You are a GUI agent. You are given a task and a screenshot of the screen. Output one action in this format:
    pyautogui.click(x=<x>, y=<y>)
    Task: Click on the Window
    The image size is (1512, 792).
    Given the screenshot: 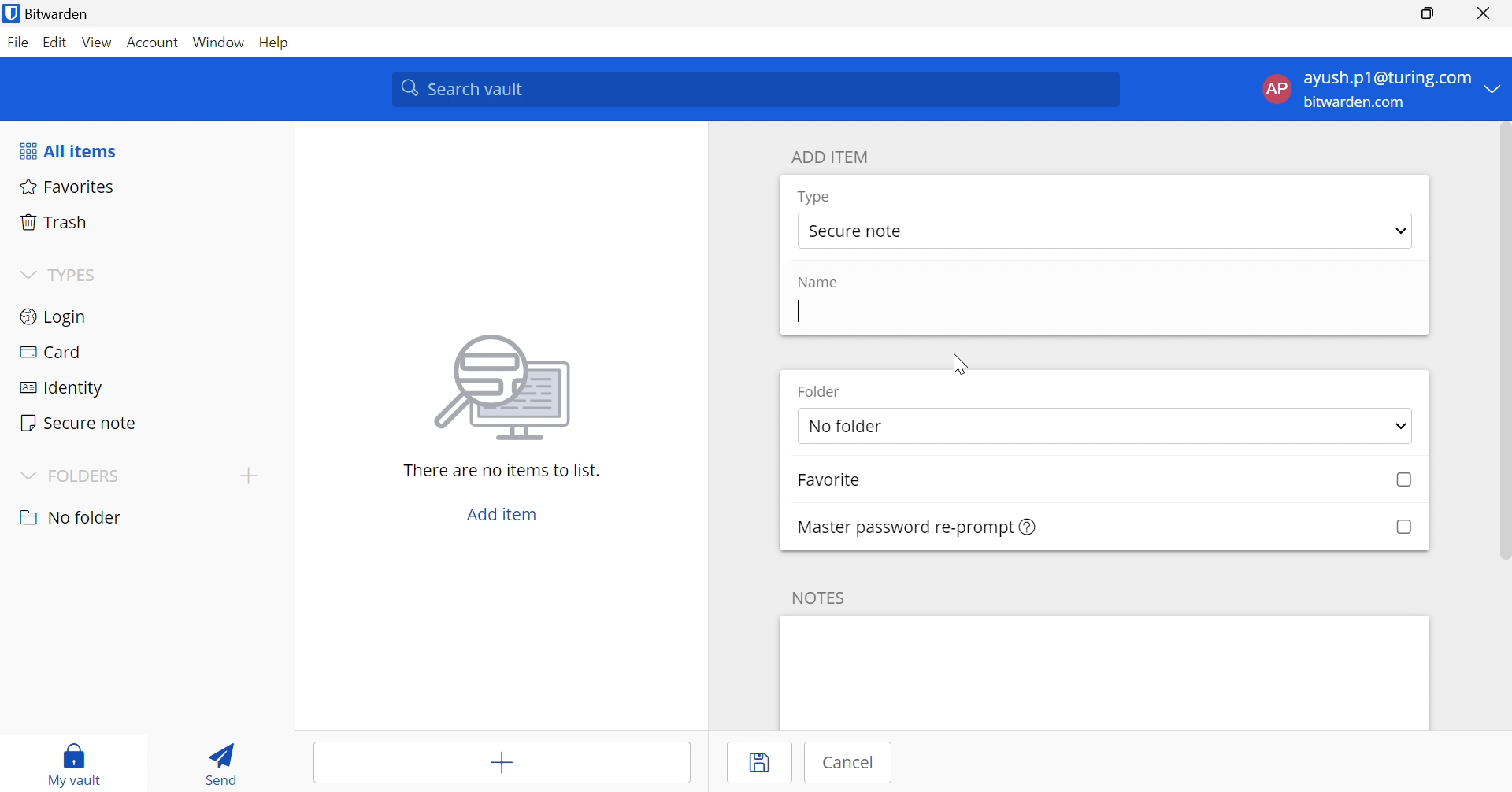 What is the action you would take?
    pyautogui.click(x=220, y=42)
    